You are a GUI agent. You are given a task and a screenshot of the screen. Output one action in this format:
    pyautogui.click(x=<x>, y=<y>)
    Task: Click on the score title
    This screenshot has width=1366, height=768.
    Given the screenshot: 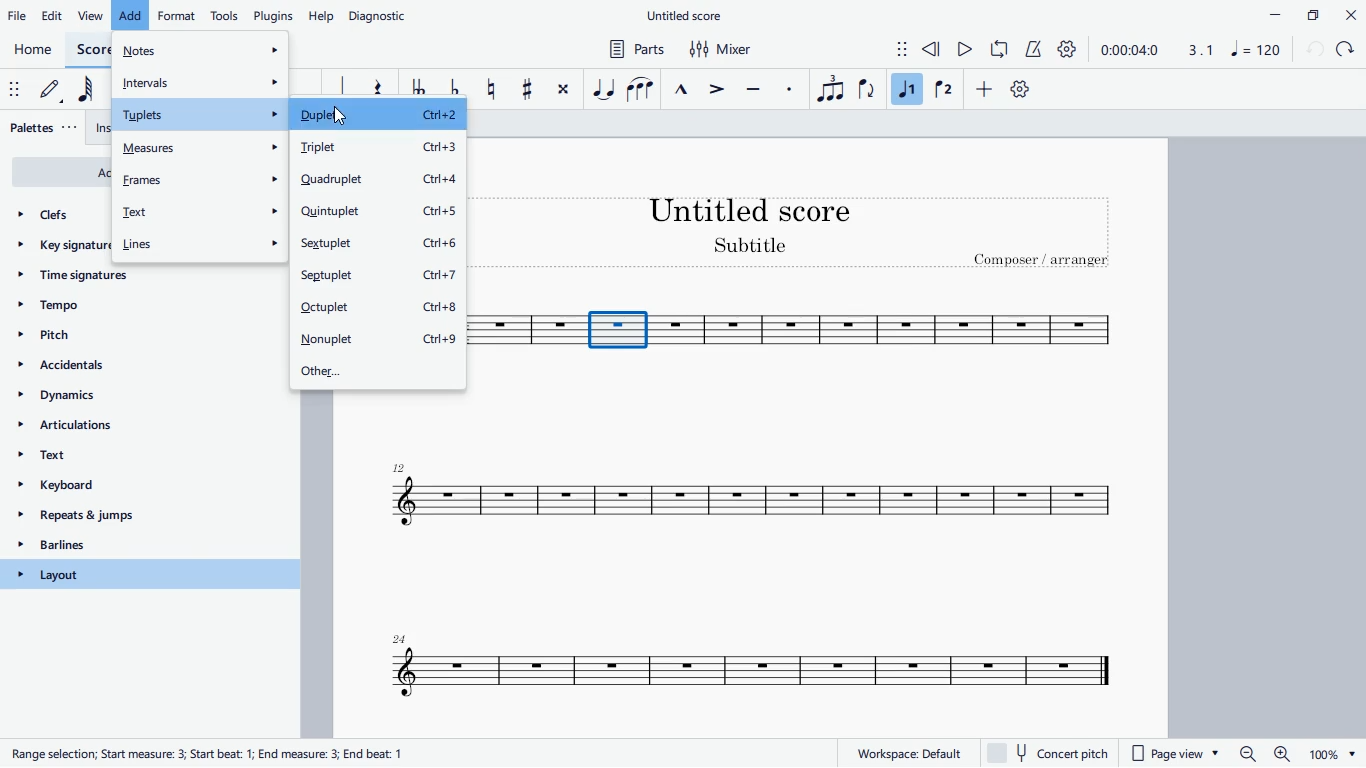 What is the action you would take?
    pyautogui.click(x=753, y=209)
    